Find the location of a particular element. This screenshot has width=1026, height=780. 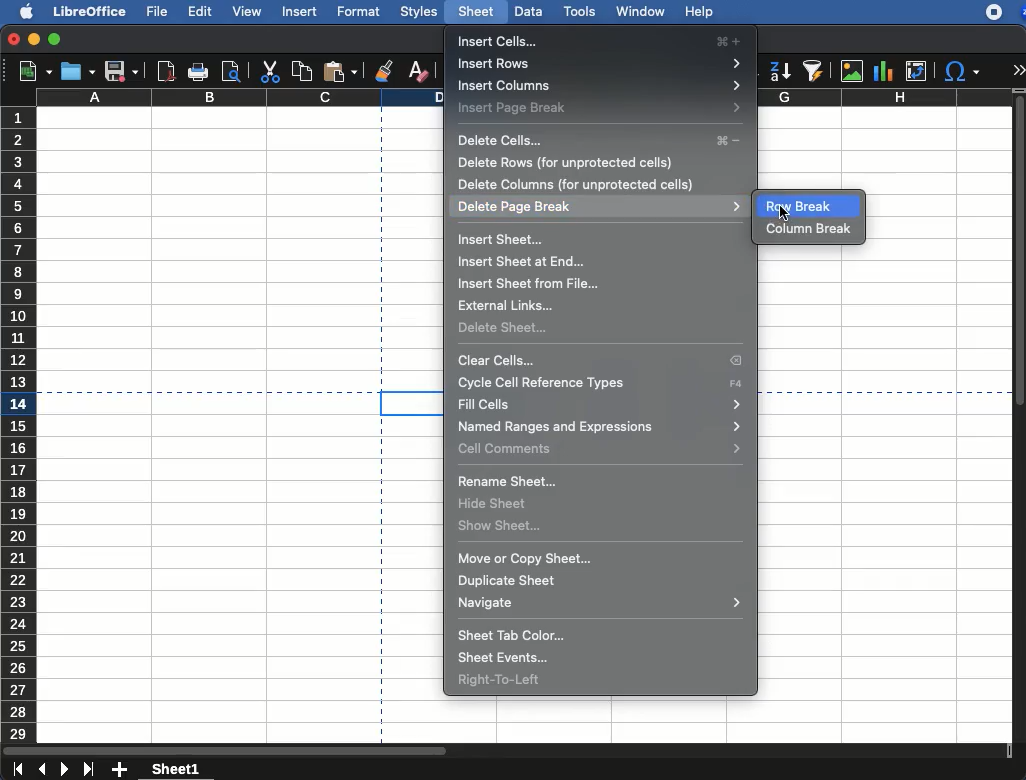

hide sheet is located at coordinates (496, 504).